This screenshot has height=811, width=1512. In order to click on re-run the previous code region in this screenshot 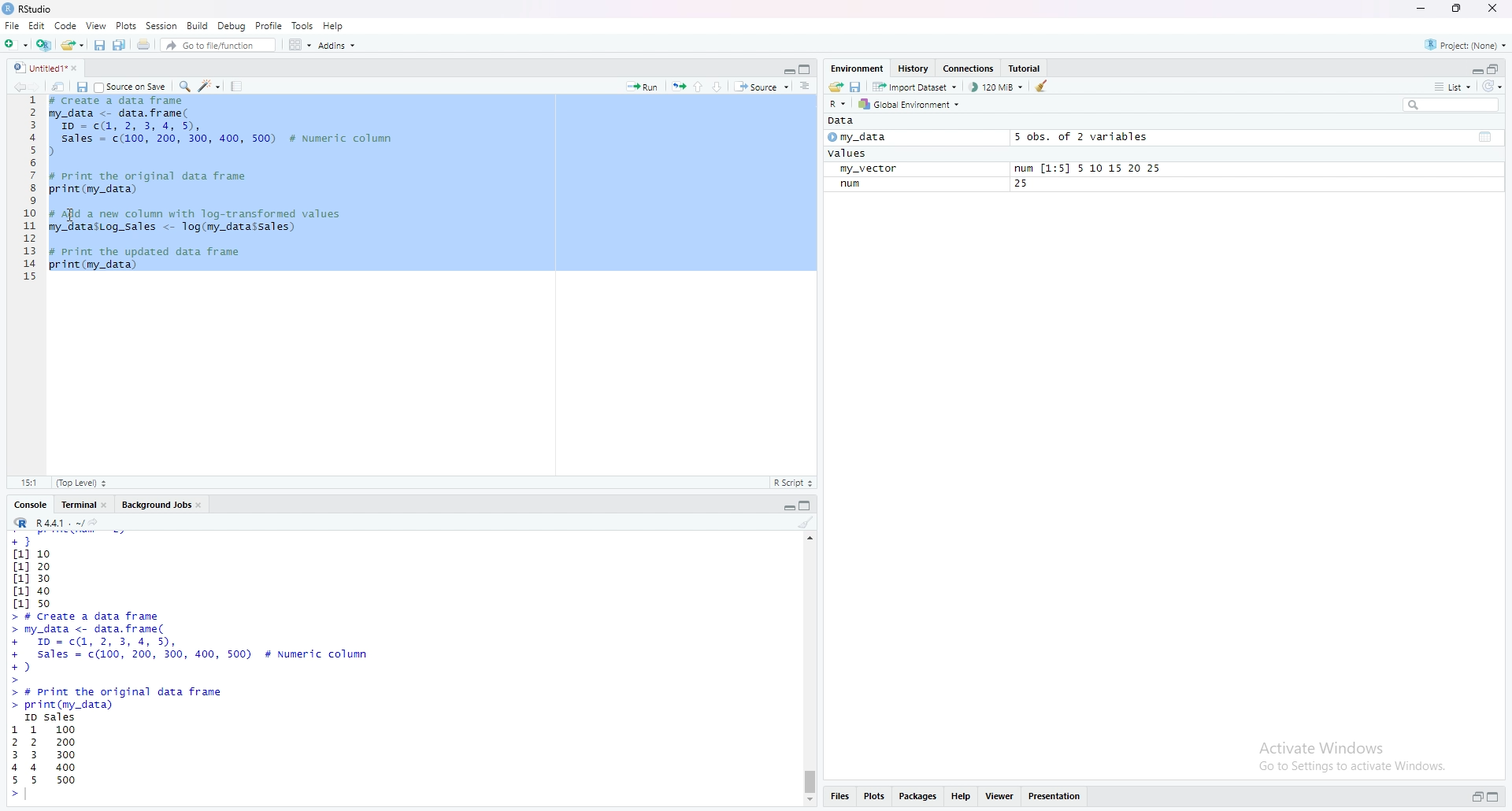, I will do `click(677, 87)`.